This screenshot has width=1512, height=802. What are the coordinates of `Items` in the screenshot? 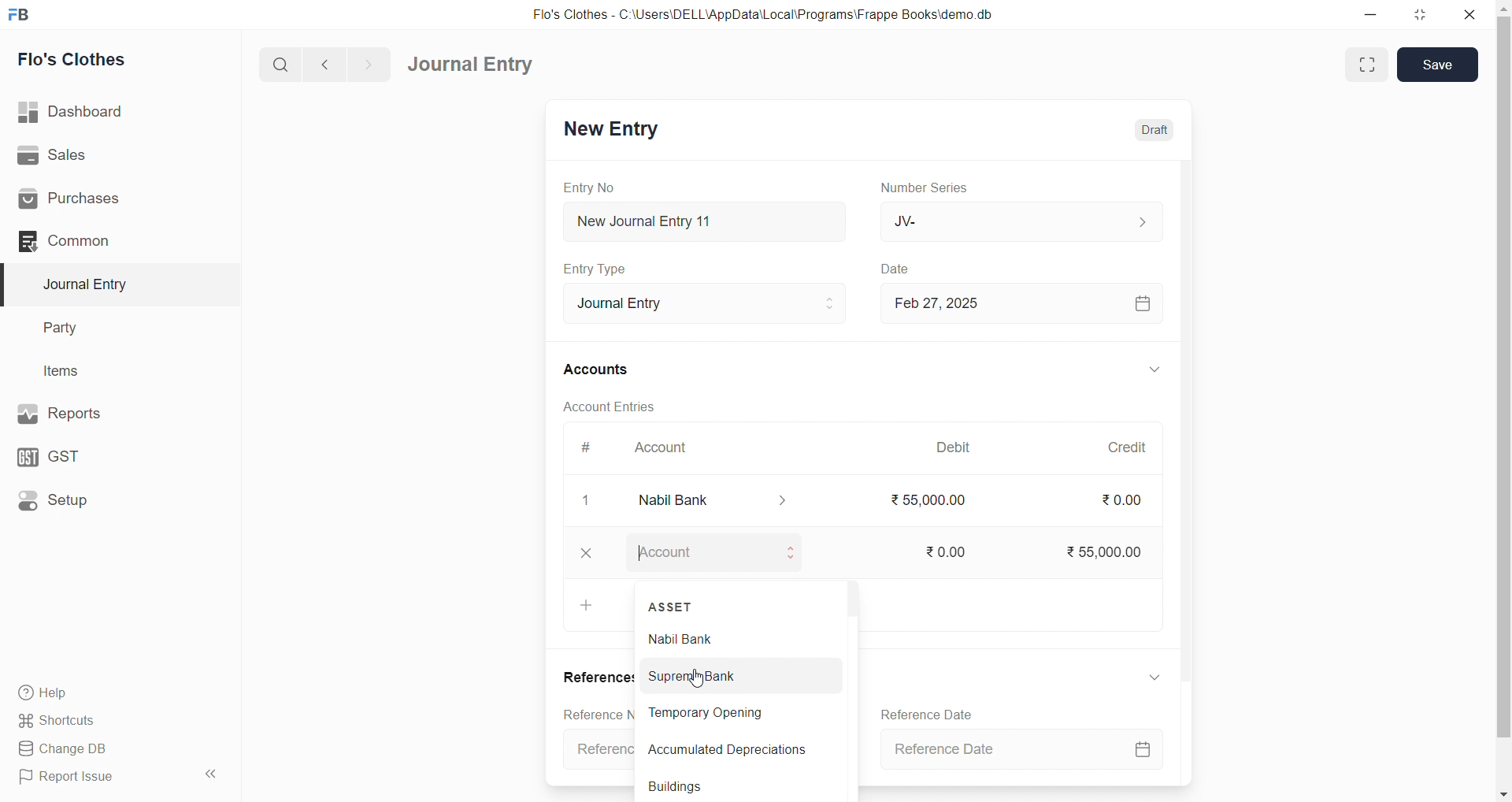 It's located at (67, 370).